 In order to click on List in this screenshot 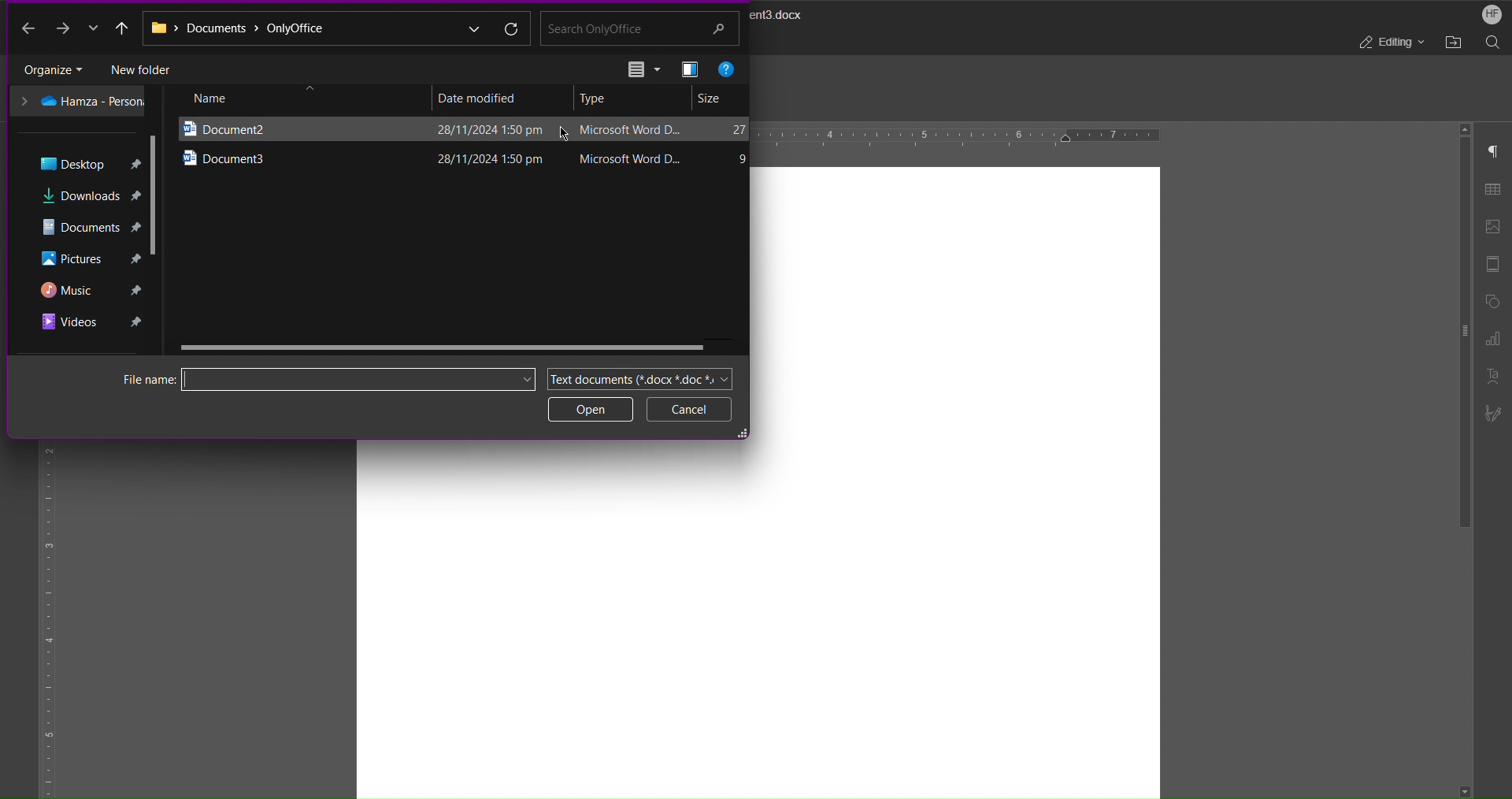, I will do `click(642, 70)`.